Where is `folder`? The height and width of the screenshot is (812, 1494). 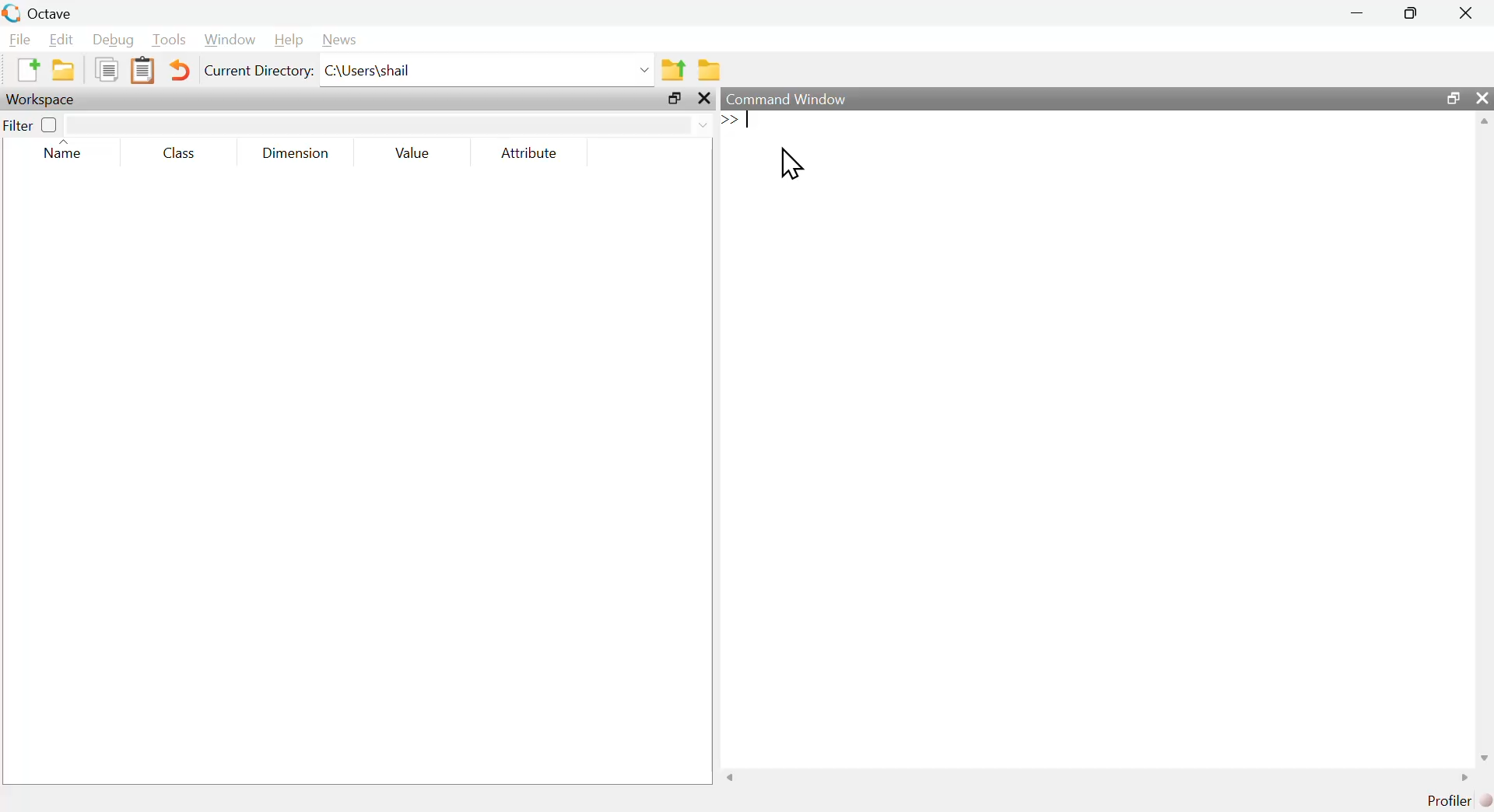 folder is located at coordinates (711, 67).